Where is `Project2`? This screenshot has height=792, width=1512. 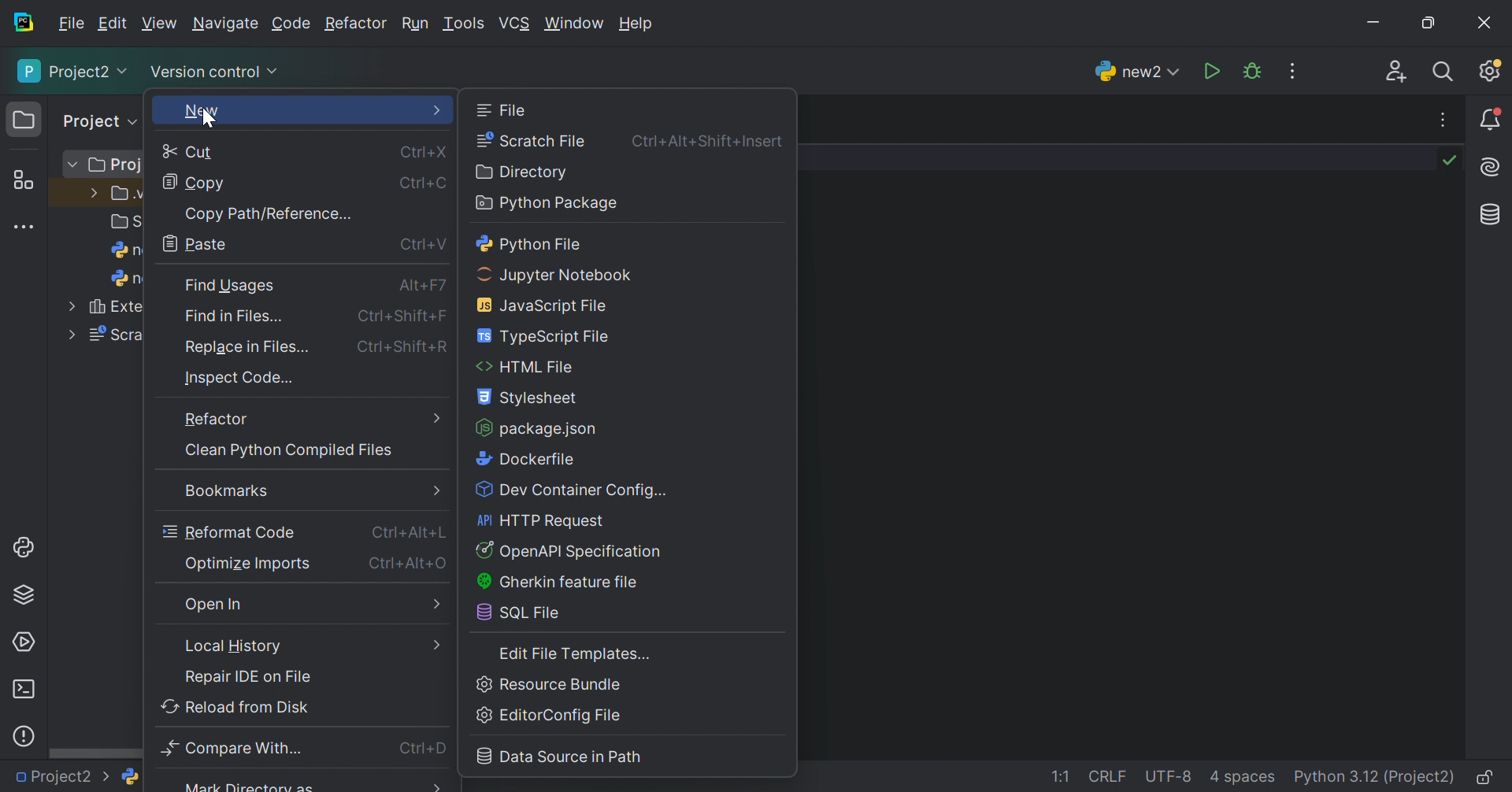
Project2 is located at coordinates (56, 777).